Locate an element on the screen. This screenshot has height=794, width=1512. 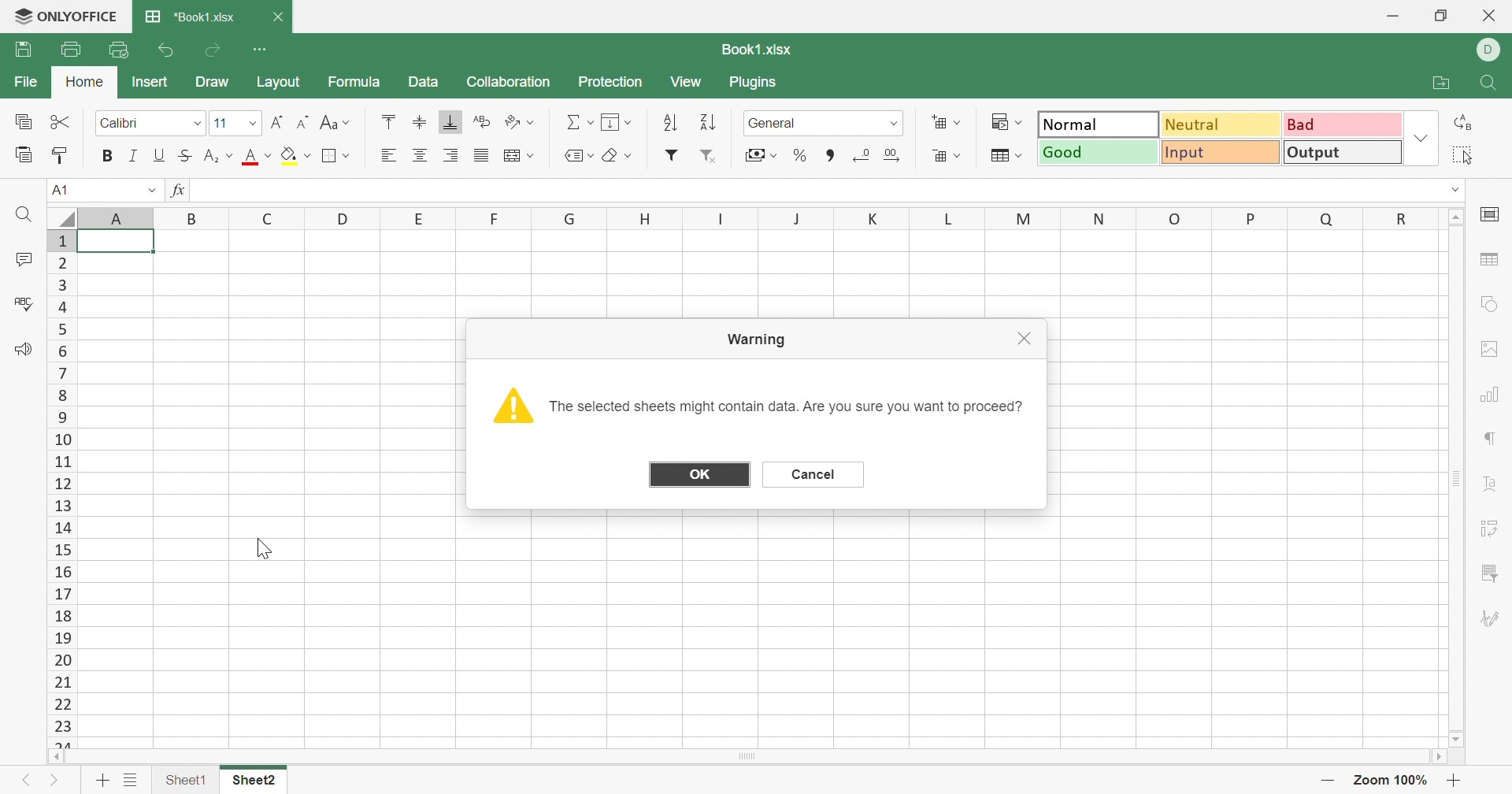
fx is located at coordinates (180, 191).